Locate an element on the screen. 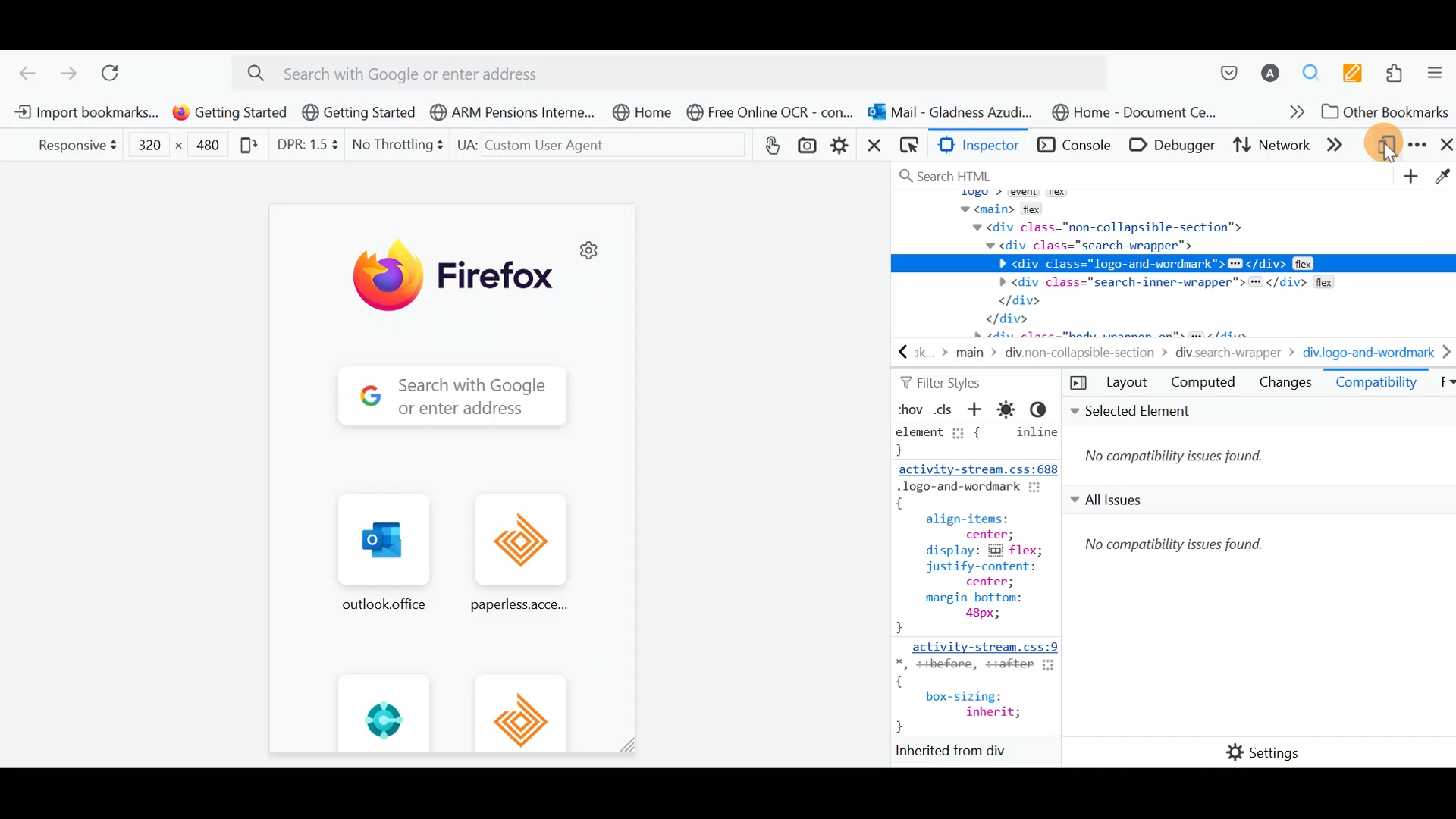  Pick an element from the page is located at coordinates (906, 148).